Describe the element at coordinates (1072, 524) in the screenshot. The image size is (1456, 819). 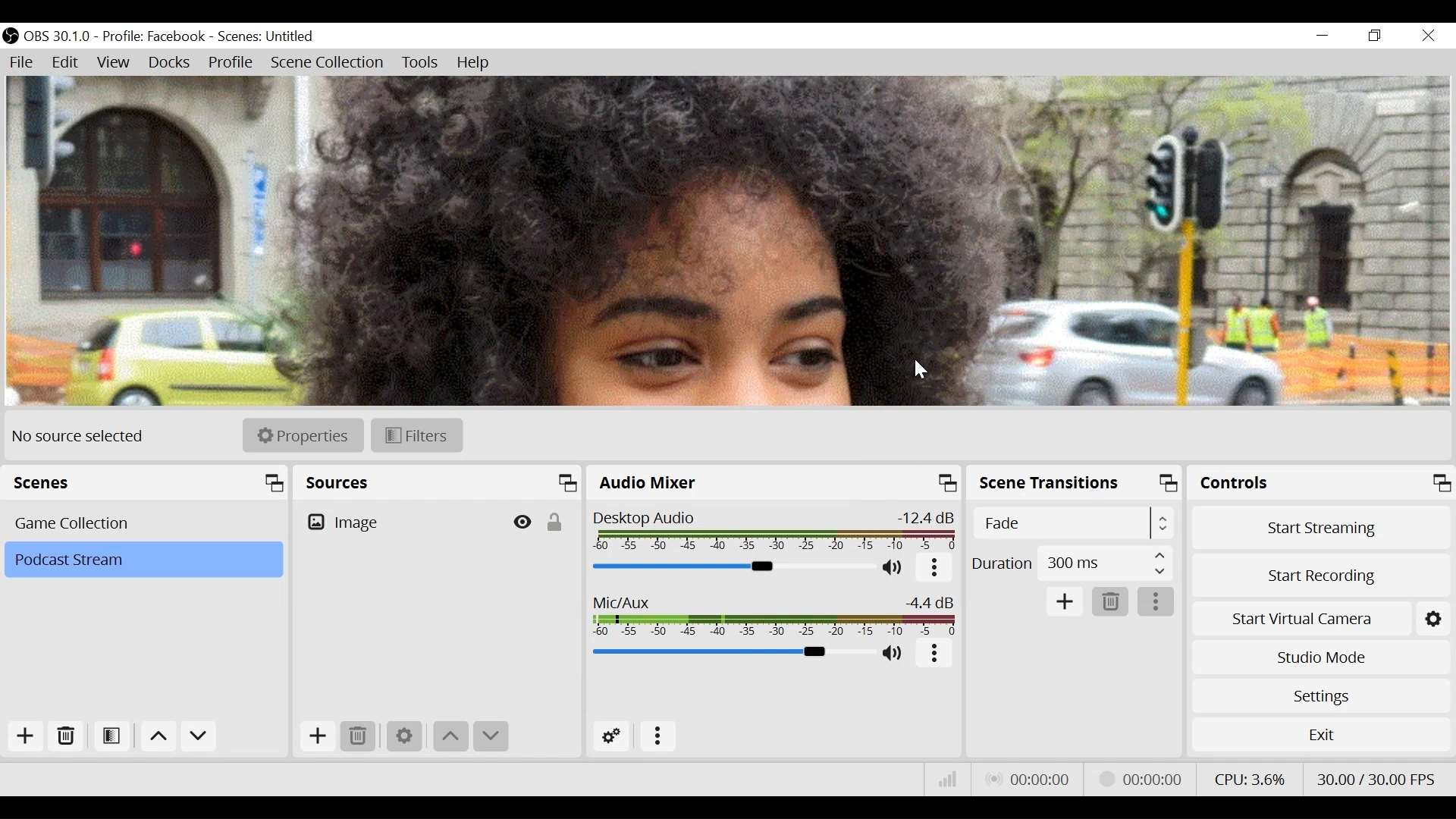
I see `Select Scene Transition` at that location.